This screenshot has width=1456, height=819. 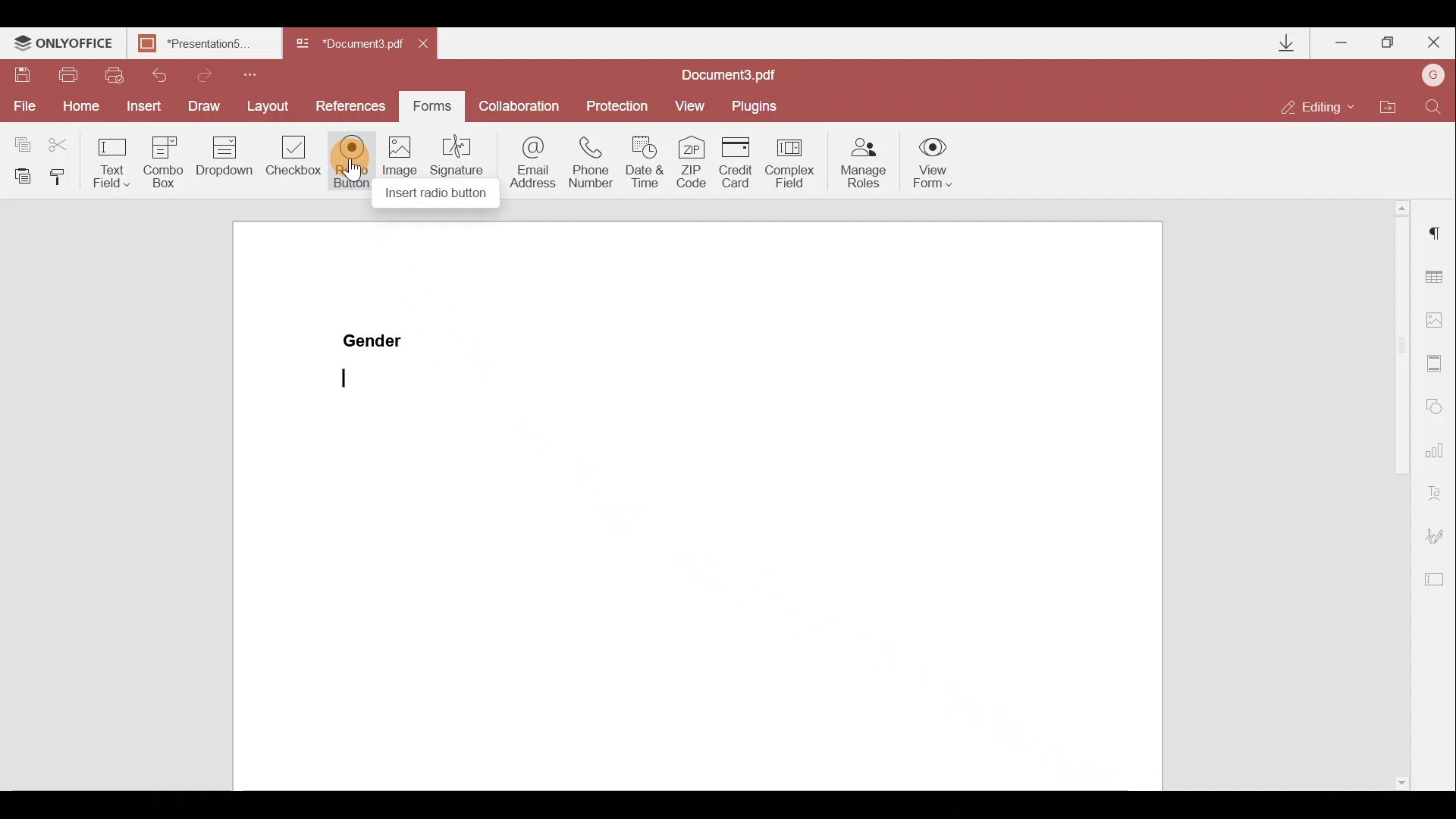 I want to click on Checkbox, so click(x=295, y=160).